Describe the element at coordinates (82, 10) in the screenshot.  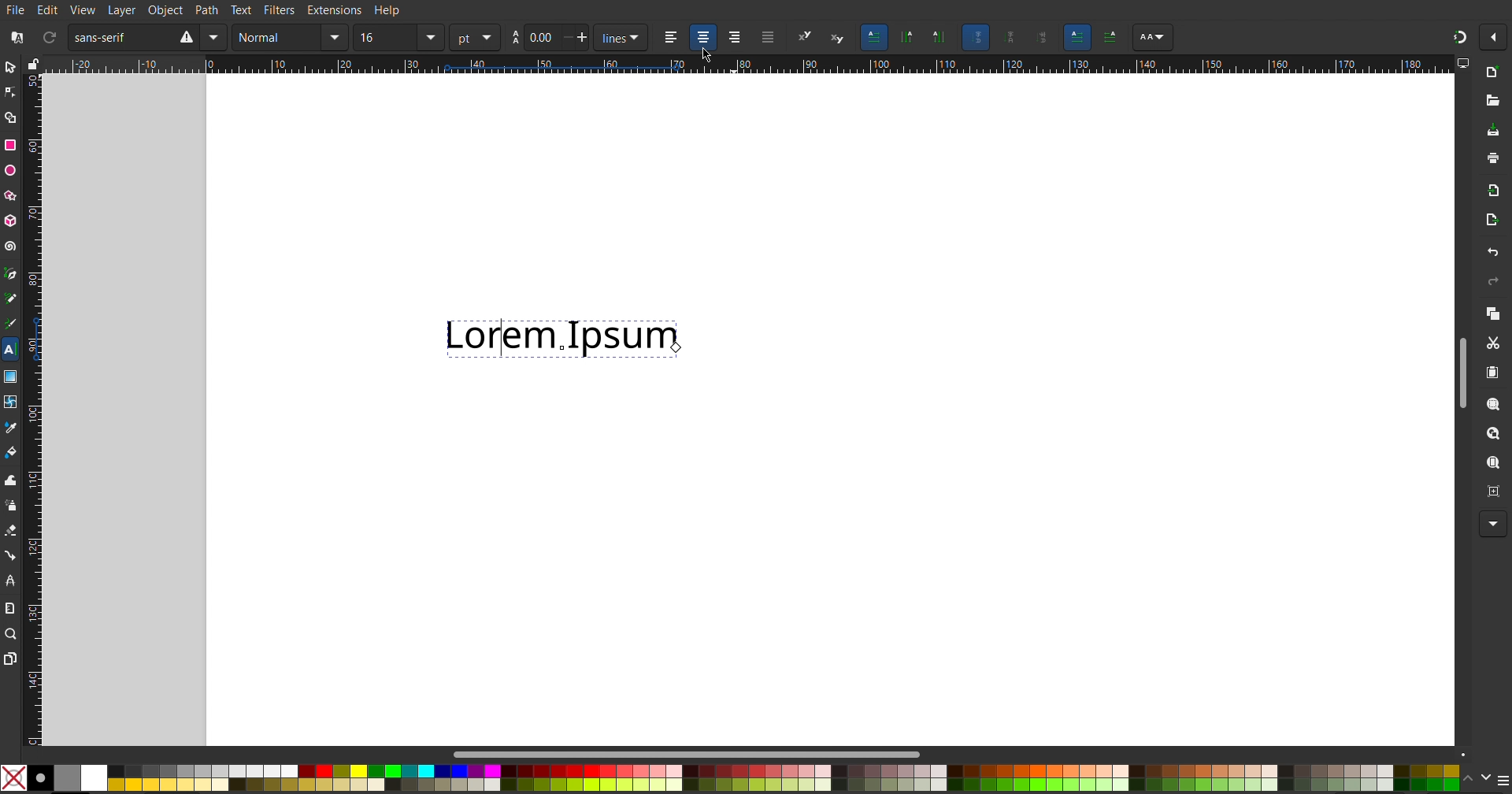
I see `View` at that location.